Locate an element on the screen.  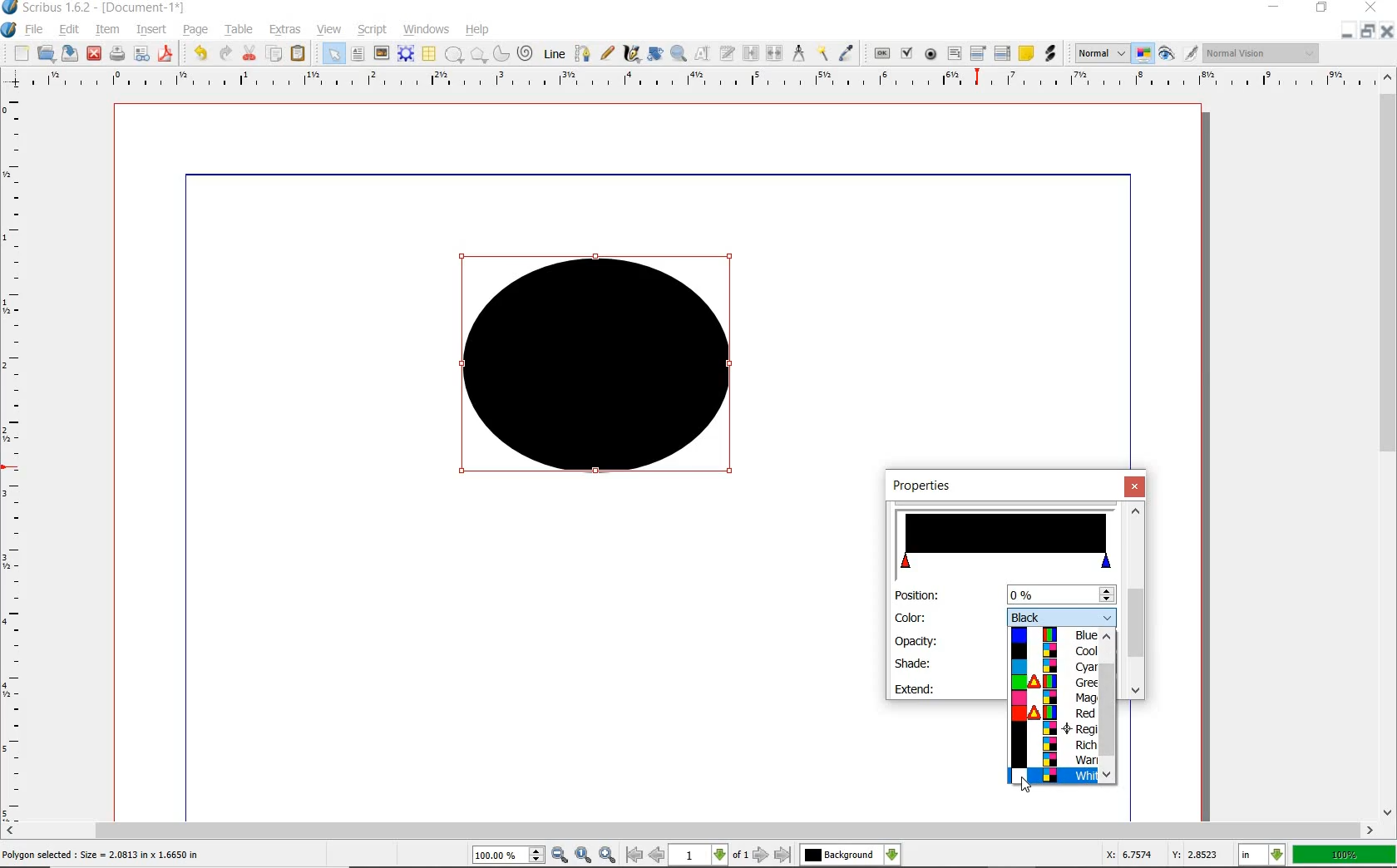
select current unit is located at coordinates (1261, 853).